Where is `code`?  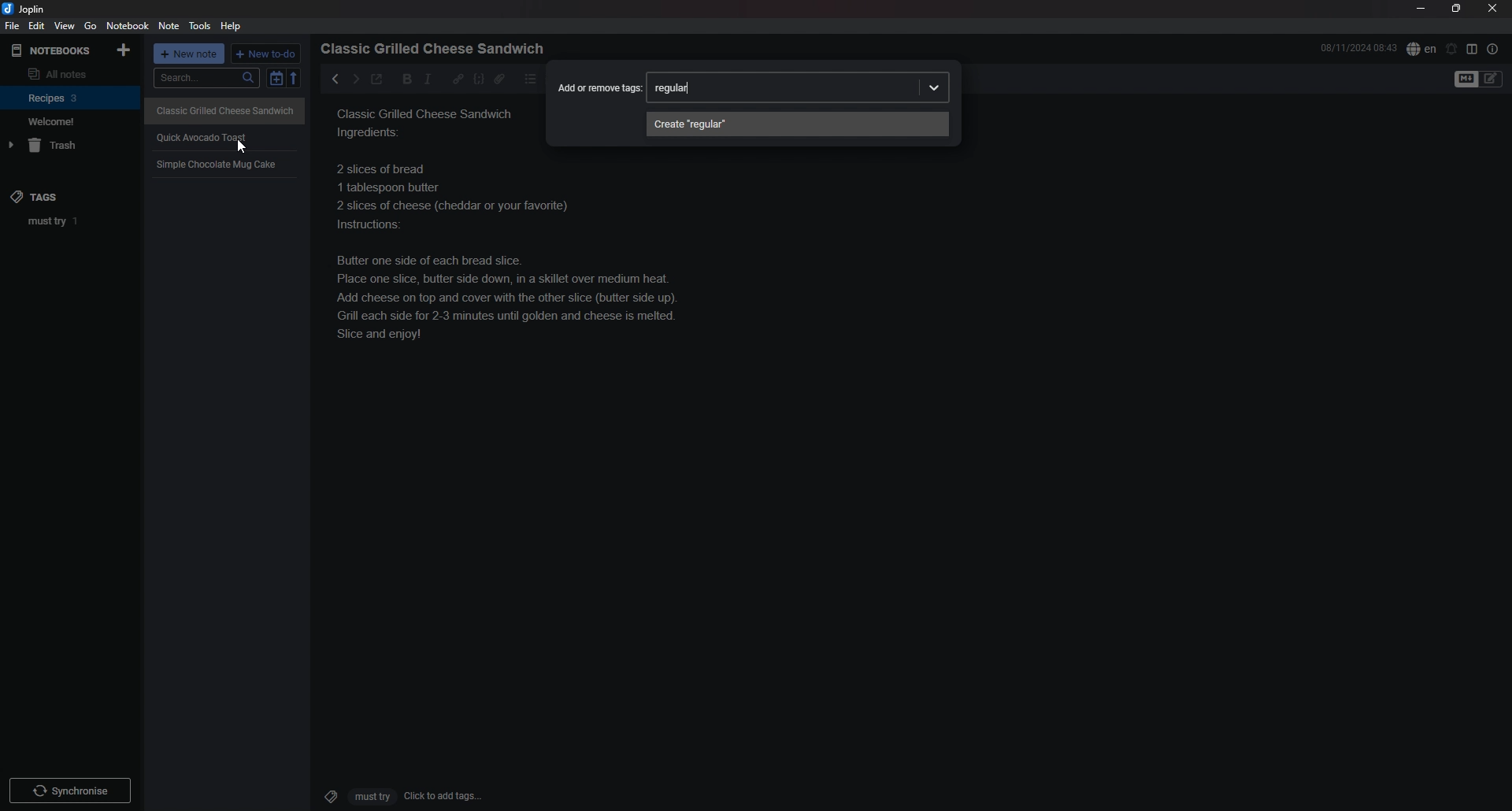 code is located at coordinates (478, 79).